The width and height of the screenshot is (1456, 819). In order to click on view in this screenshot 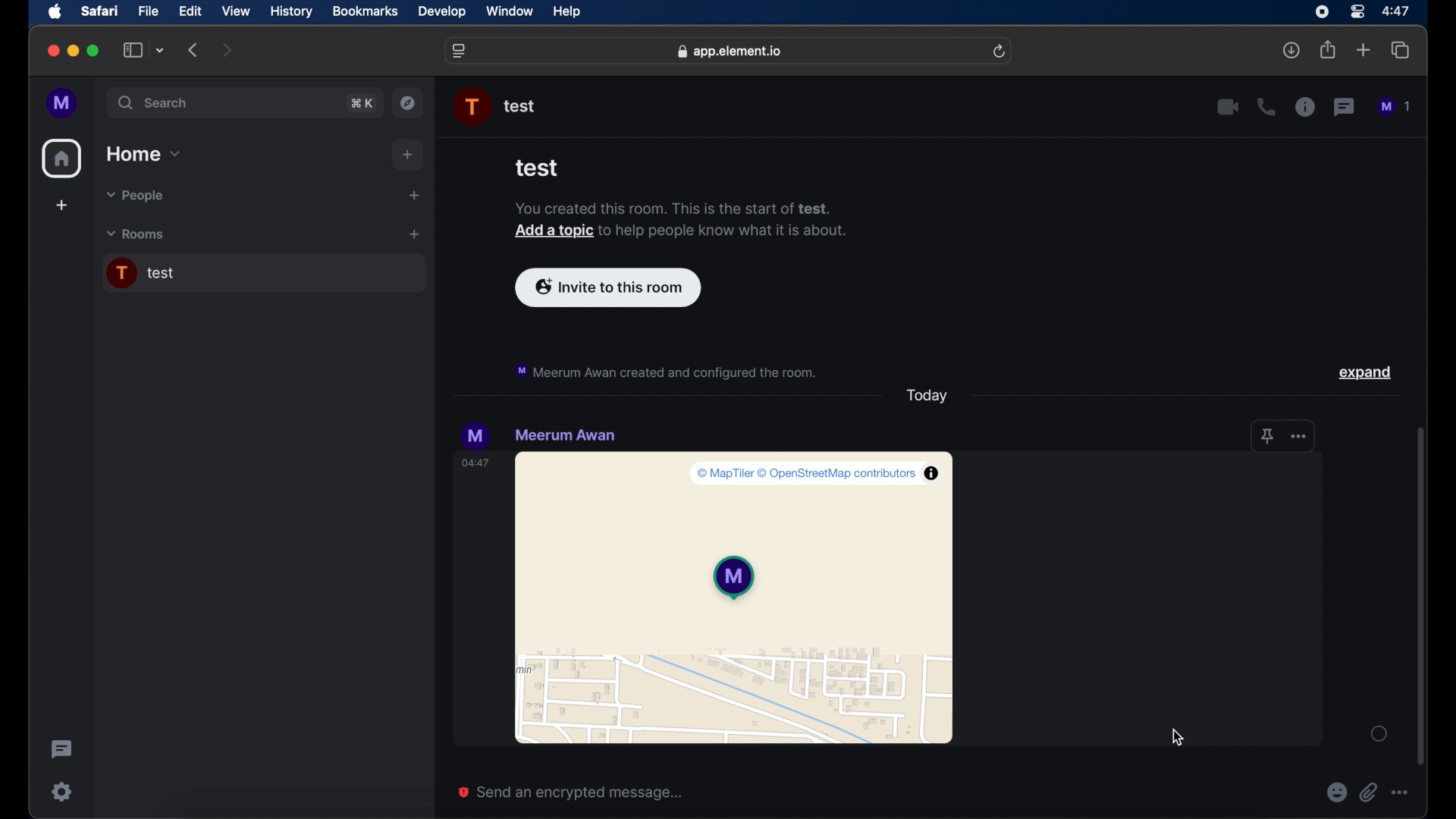, I will do `click(237, 11)`.